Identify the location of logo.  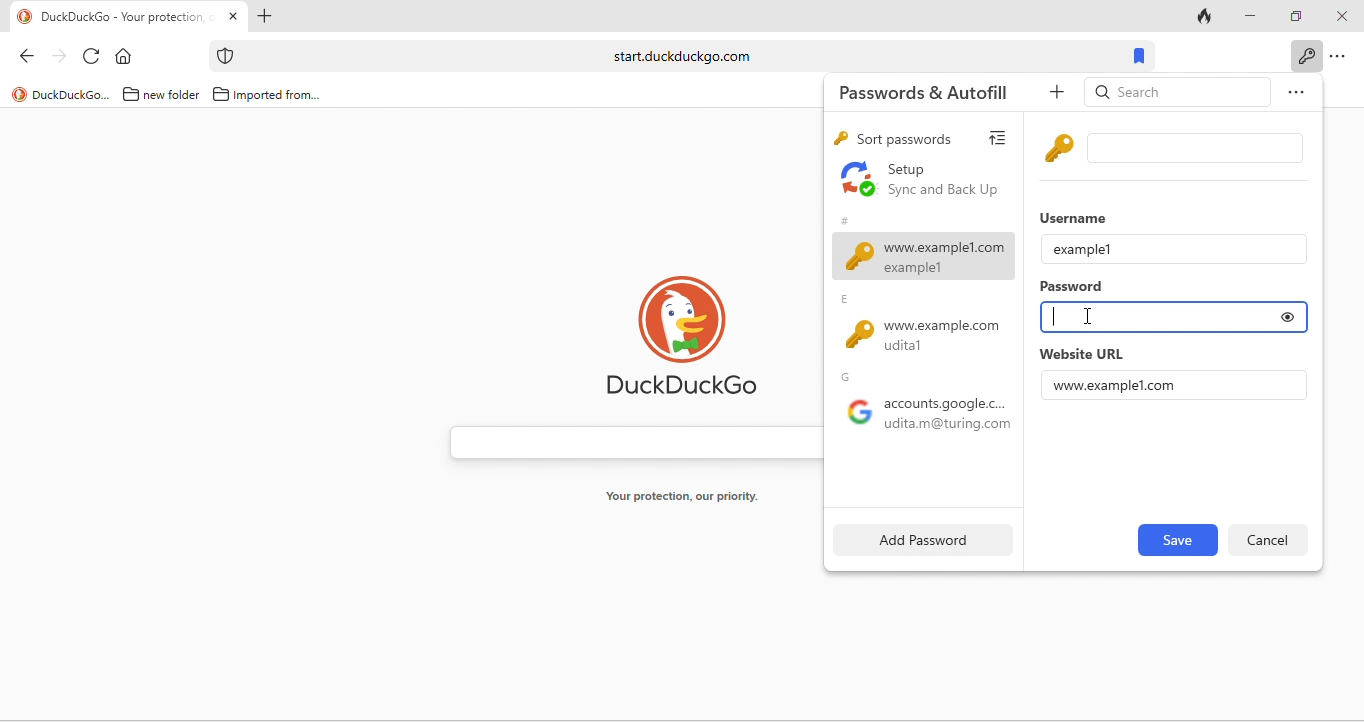
(19, 94).